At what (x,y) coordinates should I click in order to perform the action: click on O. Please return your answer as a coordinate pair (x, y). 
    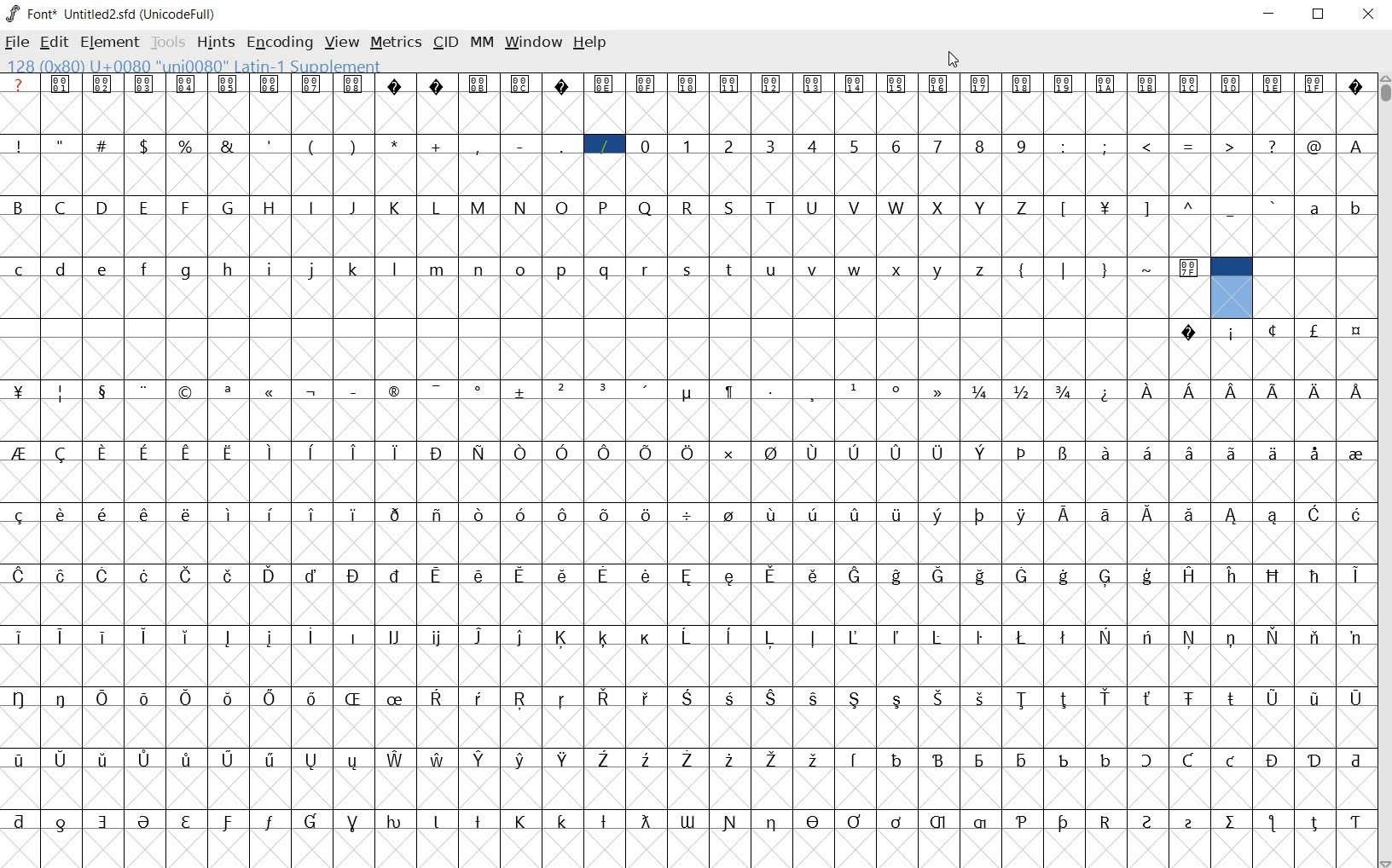
    Looking at the image, I should click on (562, 207).